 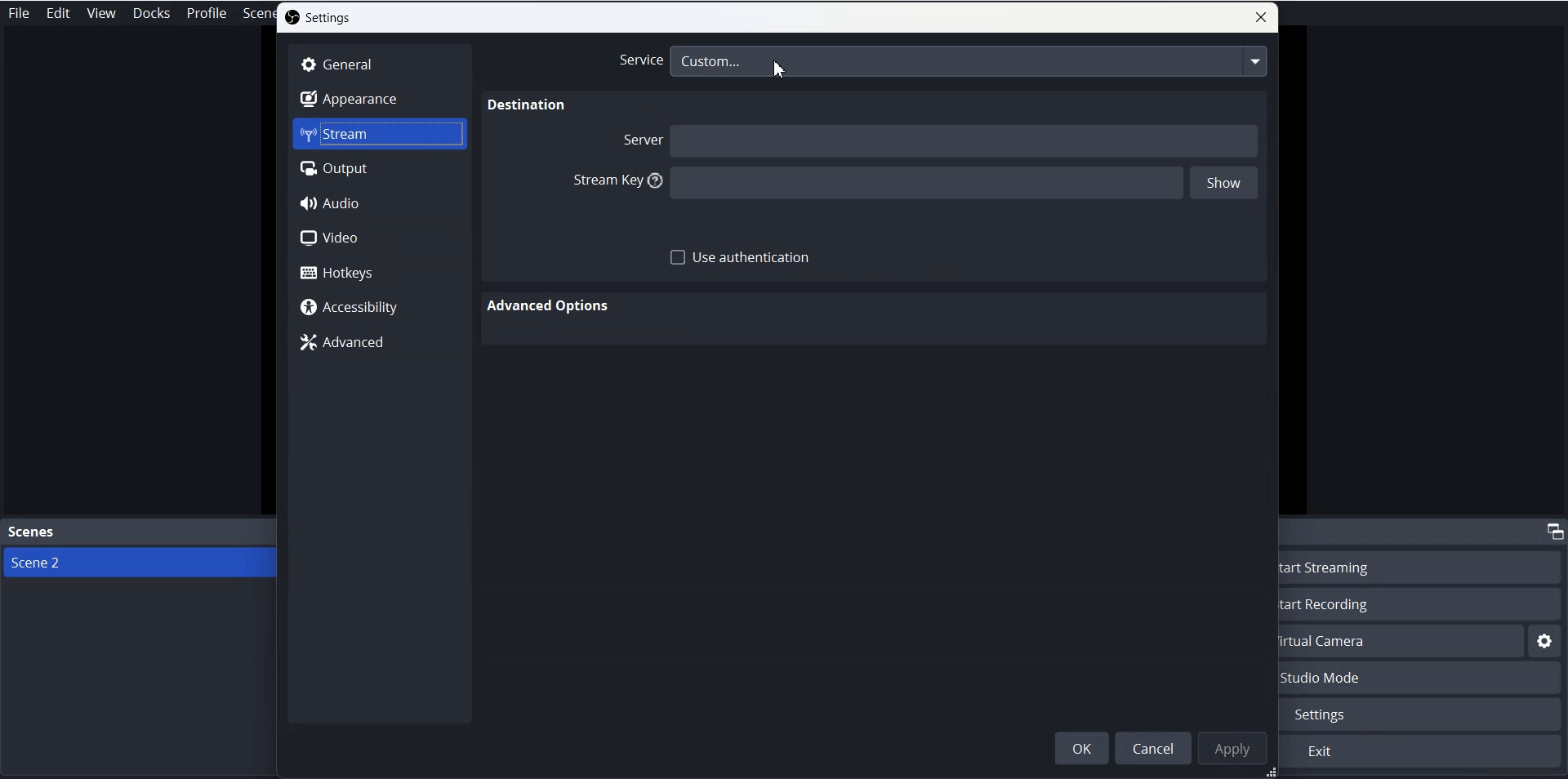 What do you see at coordinates (318, 17) in the screenshot?
I see `Settings` at bounding box center [318, 17].